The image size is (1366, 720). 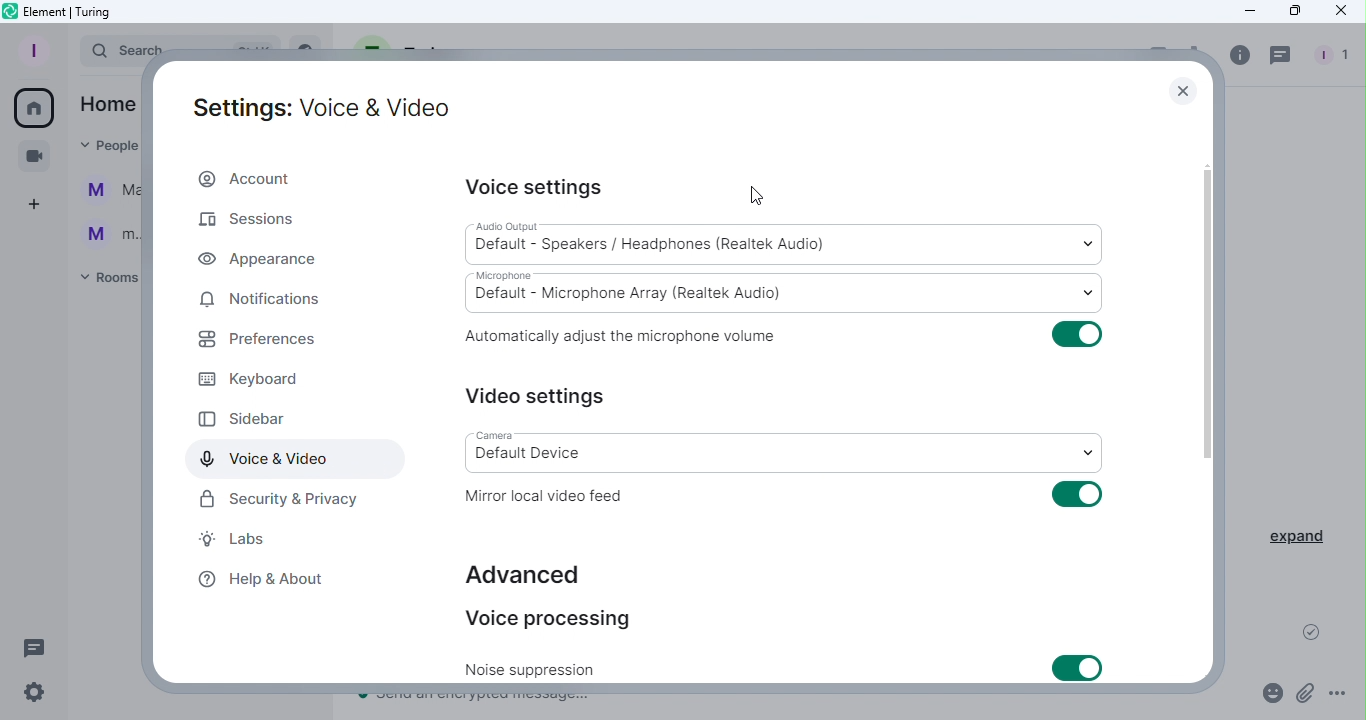 What do you see at coordinates (37, 108) in the screenshot?
I see `Home` at bounding box center [37, 108].